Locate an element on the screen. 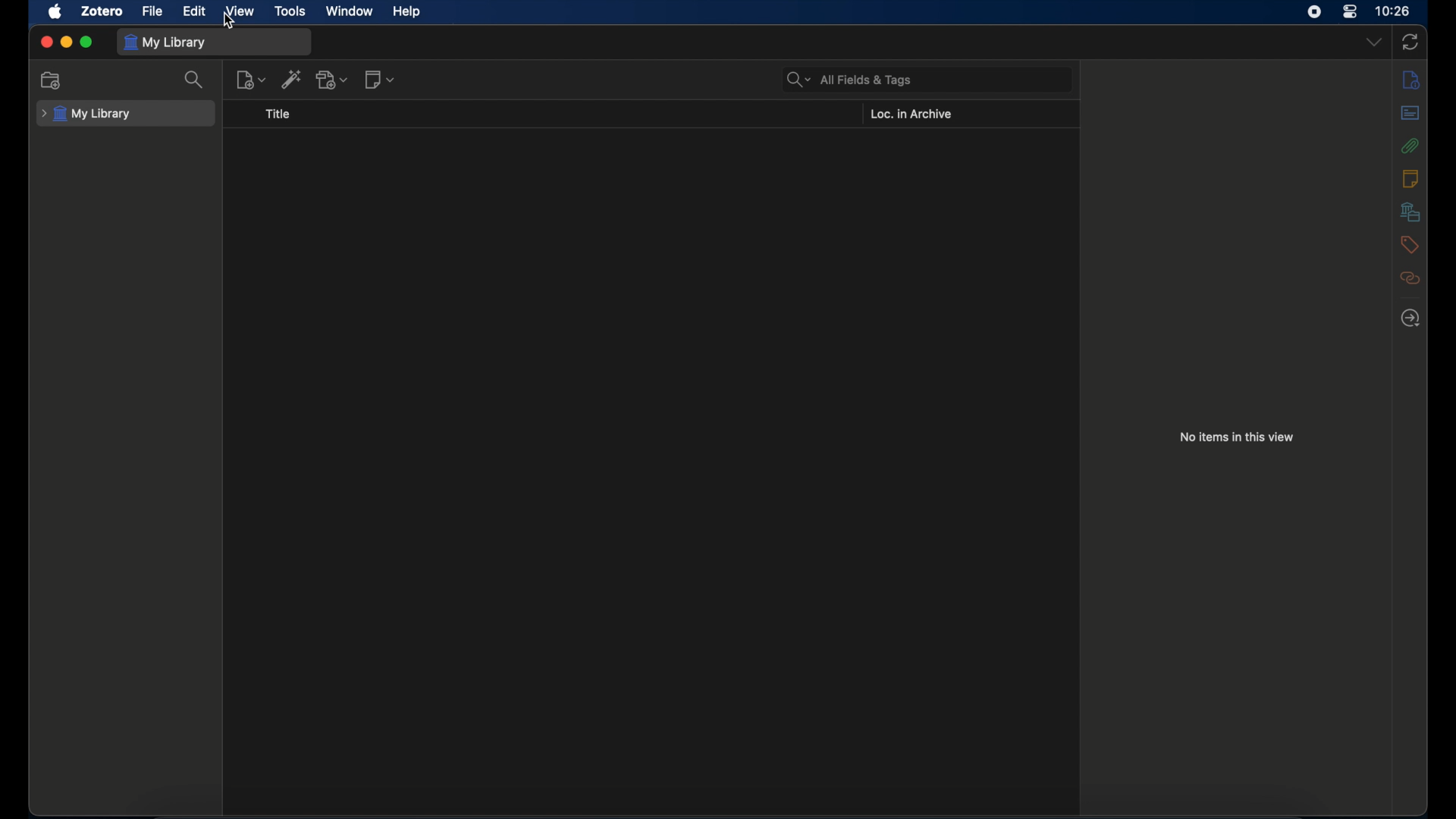  zotero is located at coordinates (101, 12).